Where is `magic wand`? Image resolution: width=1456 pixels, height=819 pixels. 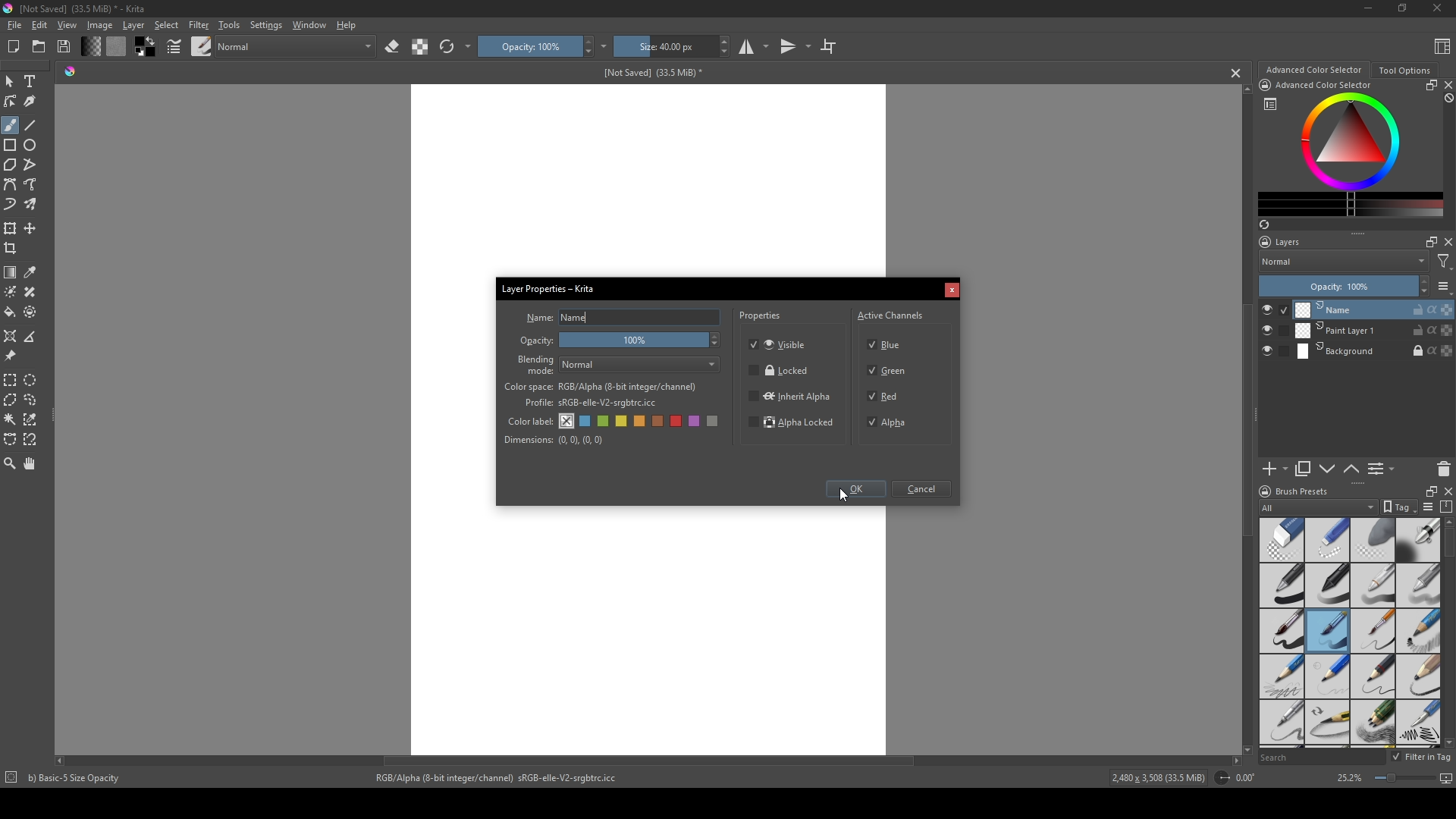 magic wand is located at coordinates (10, 419).